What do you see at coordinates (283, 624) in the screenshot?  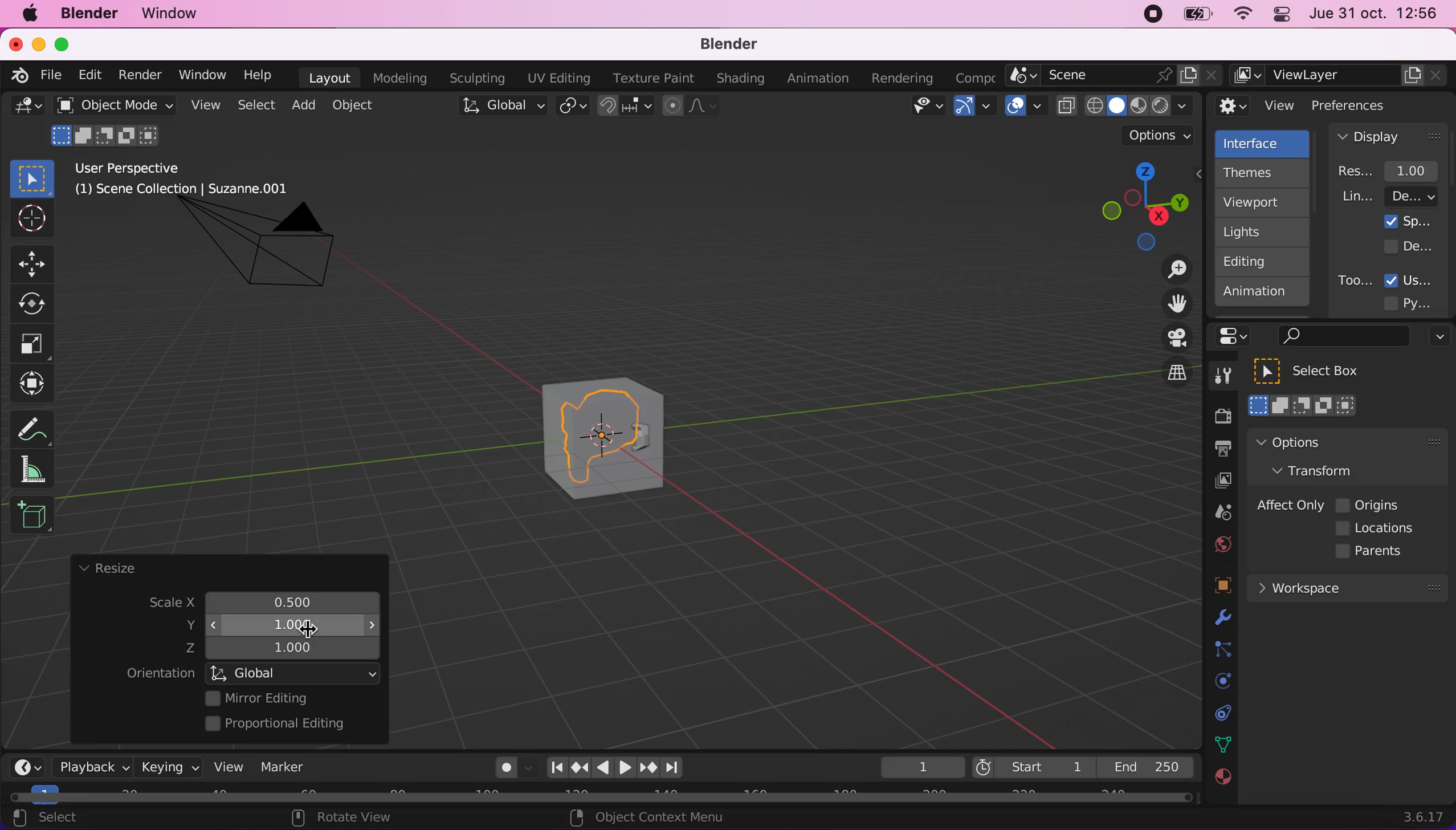 I see `scale y` at bounding box center [283, 624].